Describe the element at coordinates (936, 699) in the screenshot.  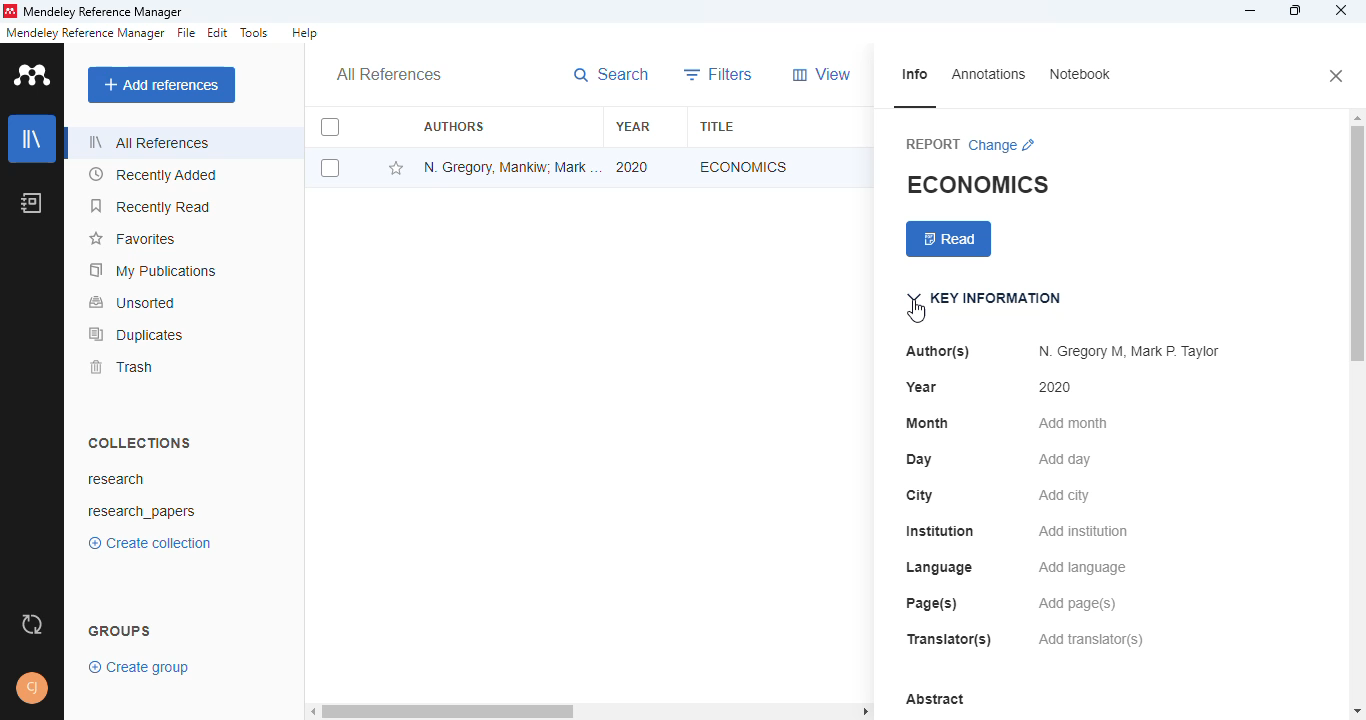
I see `abstract` at that location.